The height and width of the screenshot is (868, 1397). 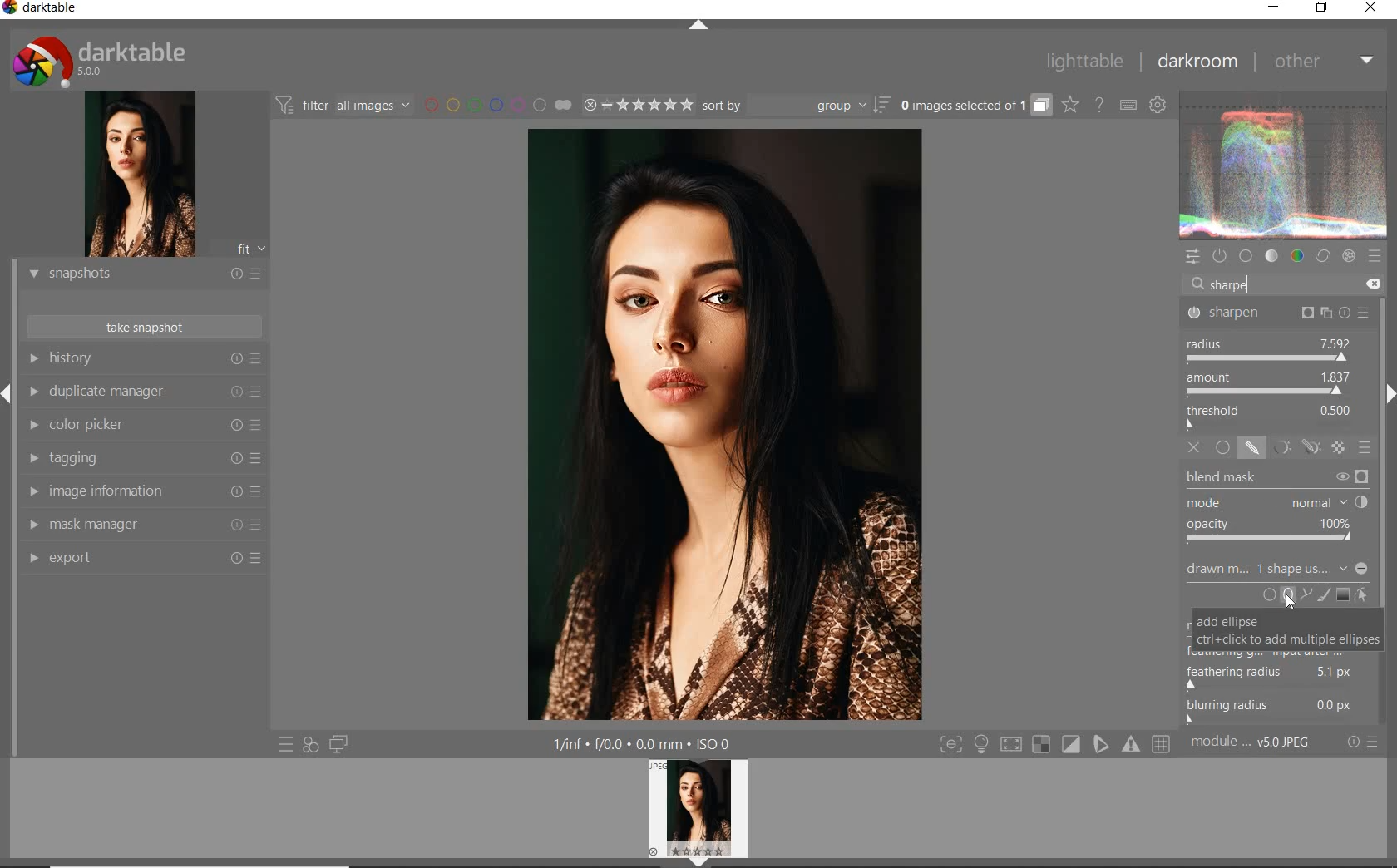 What do you see at coordinates (134, 174) in the screenshot?
I see `image preview` at bounding box center [134, 174].